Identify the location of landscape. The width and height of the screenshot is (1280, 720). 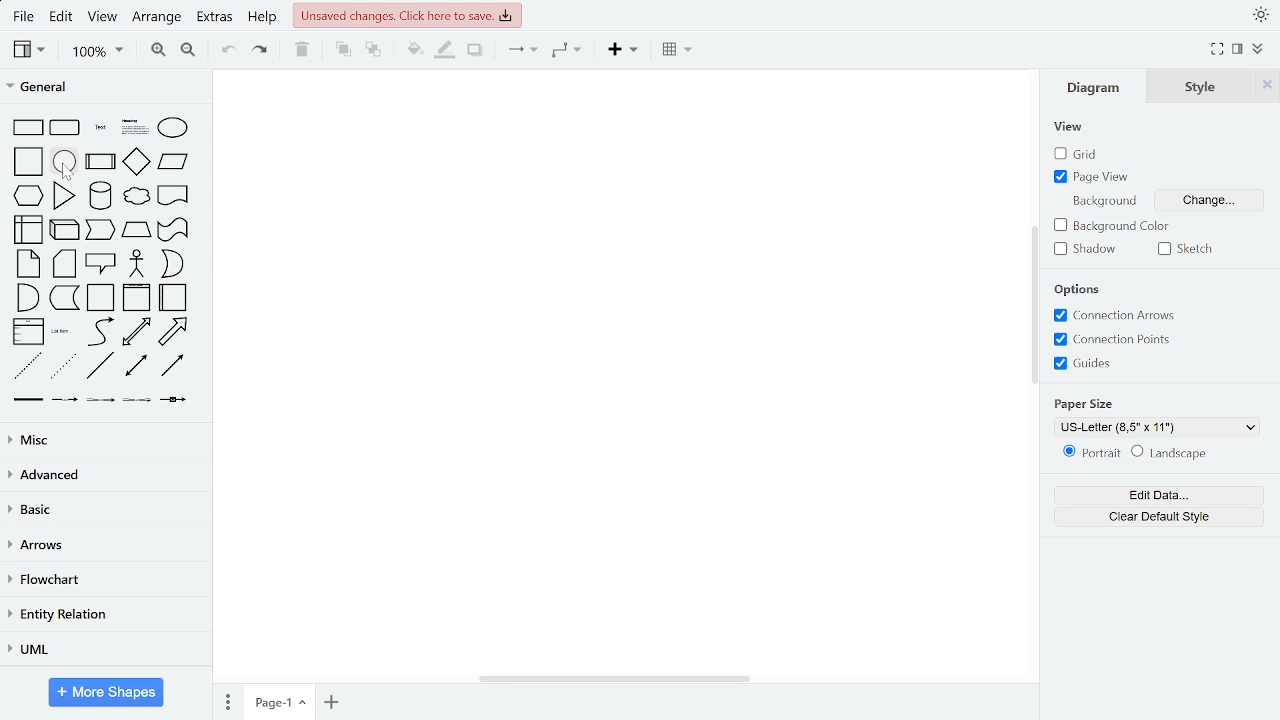
(1173, 453).